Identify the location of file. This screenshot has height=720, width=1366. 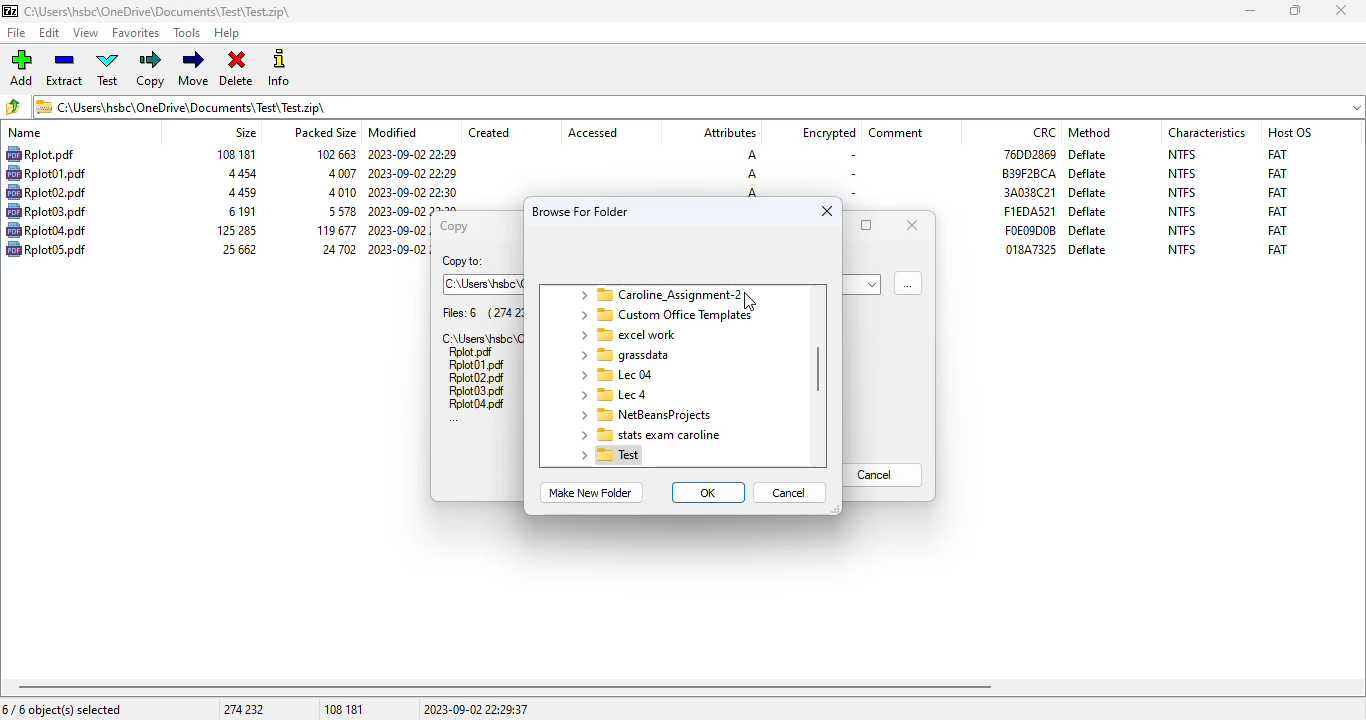
(476, 366).